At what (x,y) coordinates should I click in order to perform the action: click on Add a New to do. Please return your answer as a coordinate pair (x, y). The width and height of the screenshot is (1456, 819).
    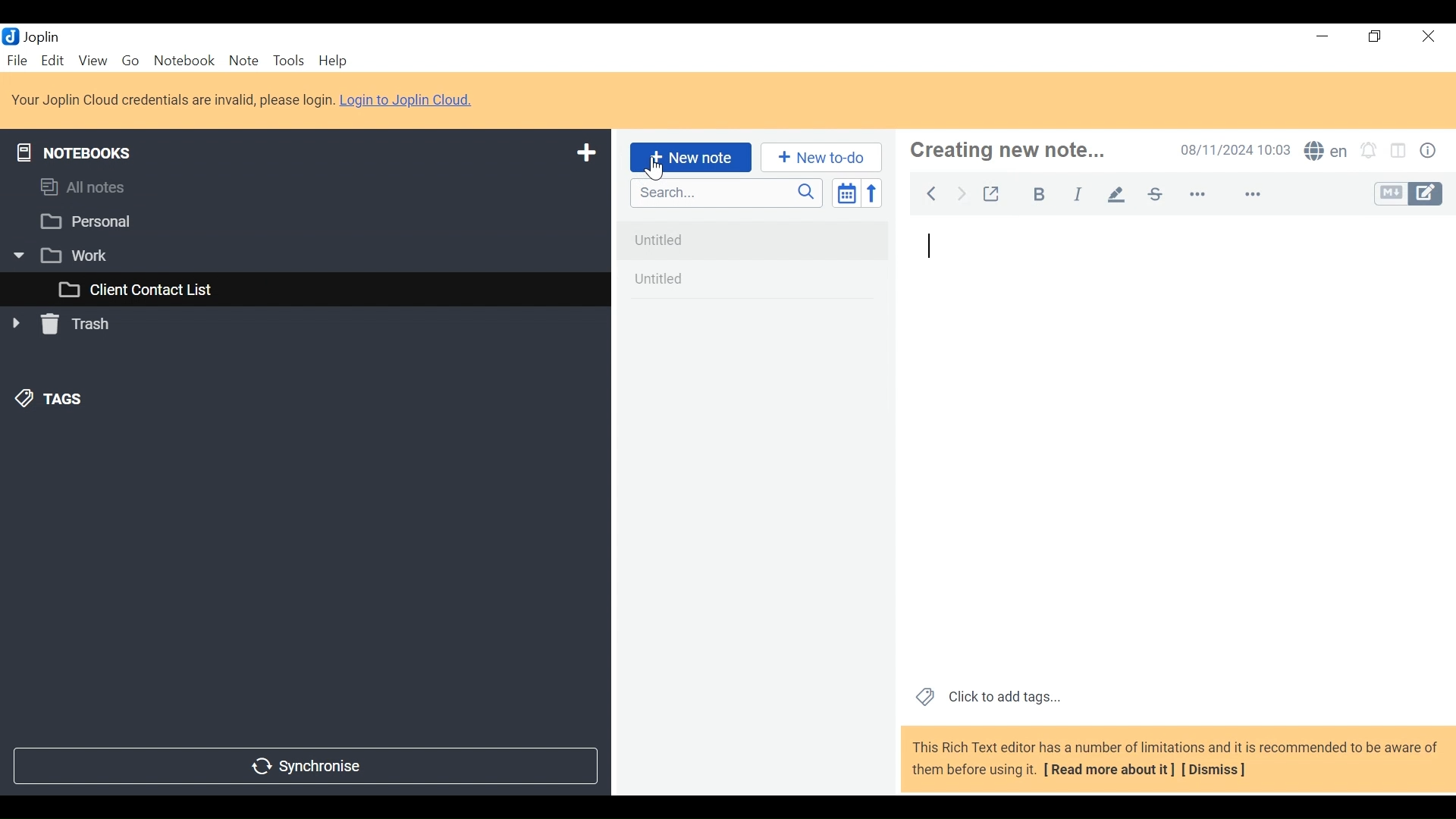
    Looking at the image, I should click on (821, 157).